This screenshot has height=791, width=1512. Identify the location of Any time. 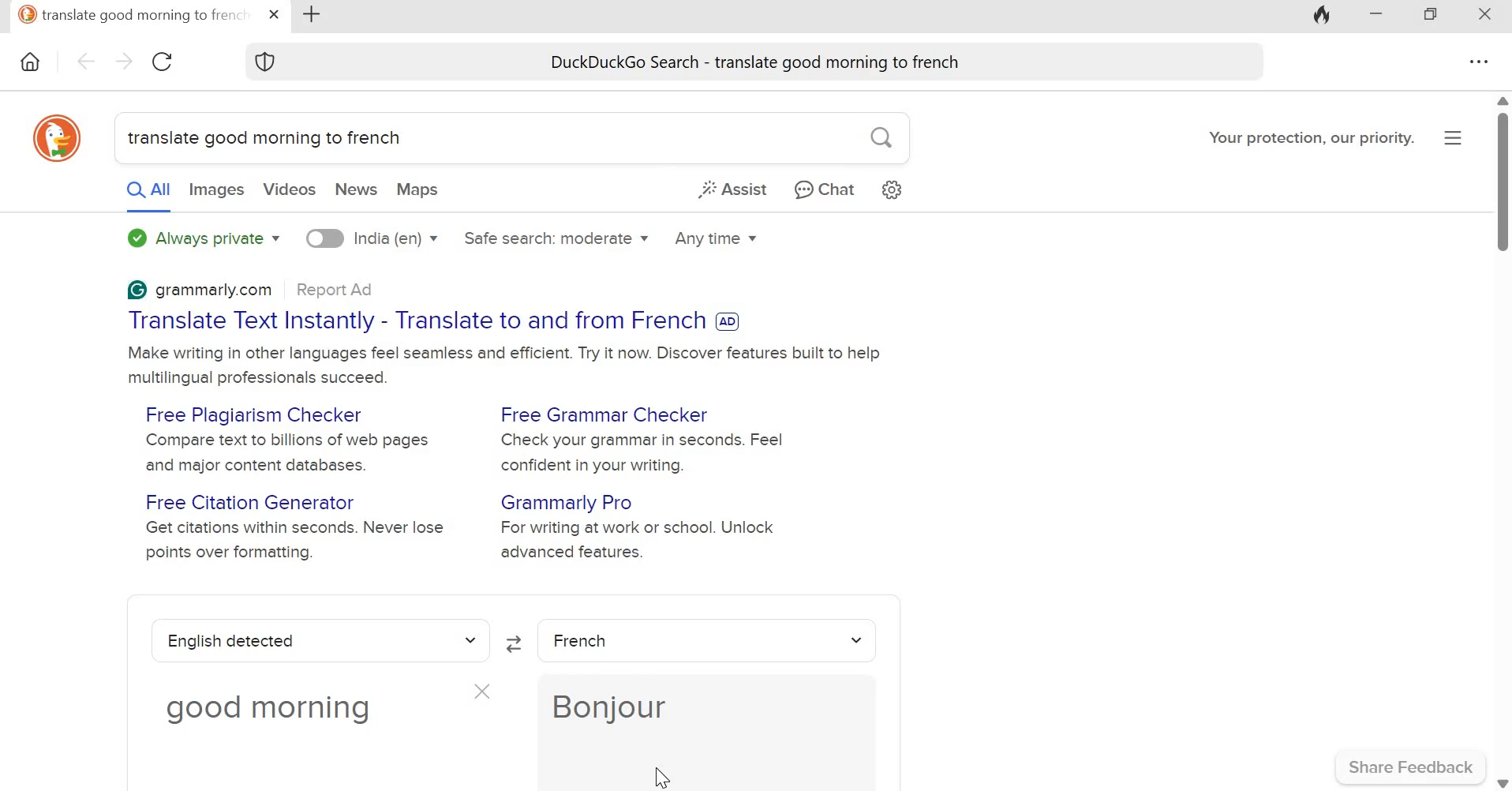
(719, 238).